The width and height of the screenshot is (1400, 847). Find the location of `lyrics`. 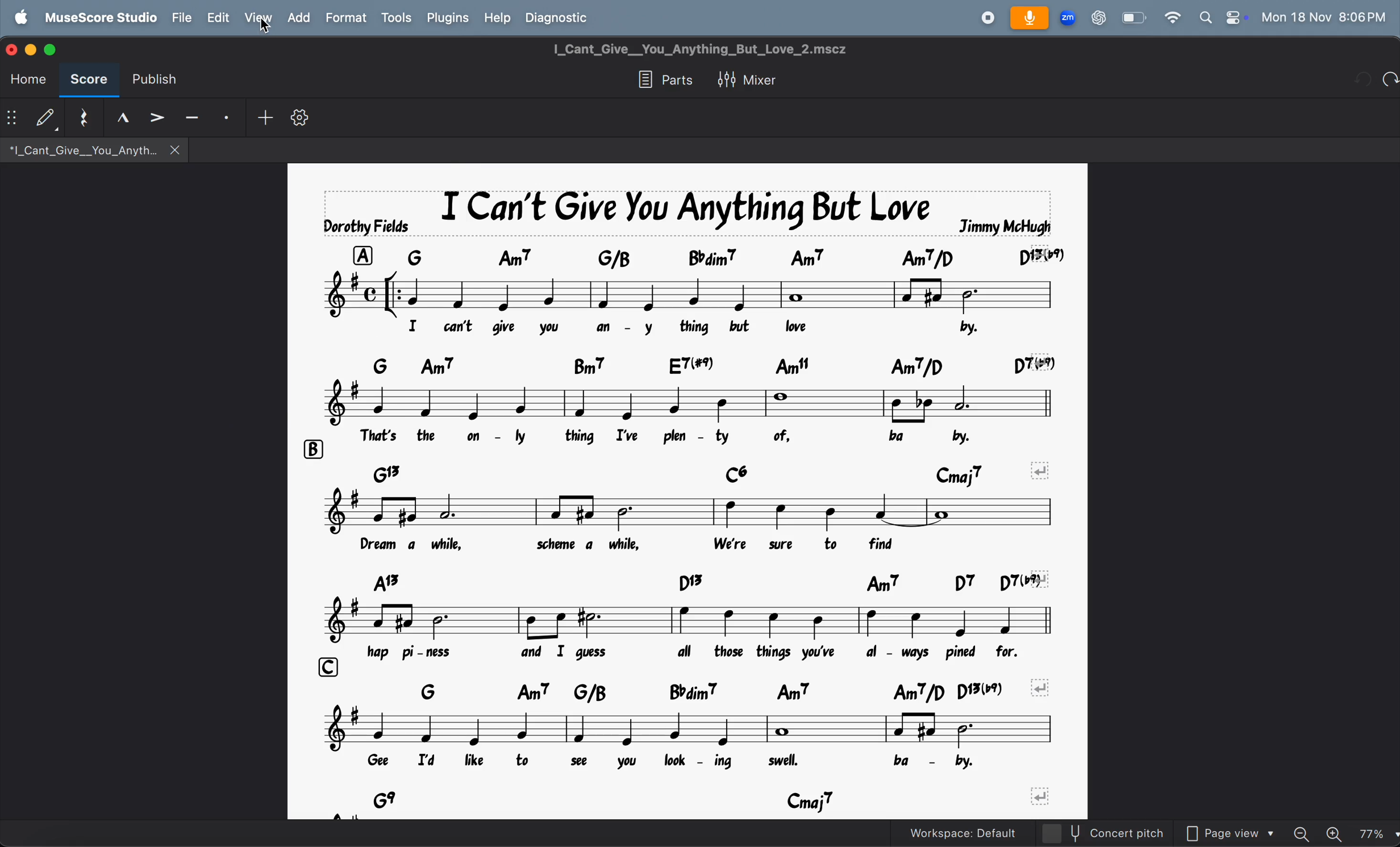

lyrics is located at coordinates (696, 437).